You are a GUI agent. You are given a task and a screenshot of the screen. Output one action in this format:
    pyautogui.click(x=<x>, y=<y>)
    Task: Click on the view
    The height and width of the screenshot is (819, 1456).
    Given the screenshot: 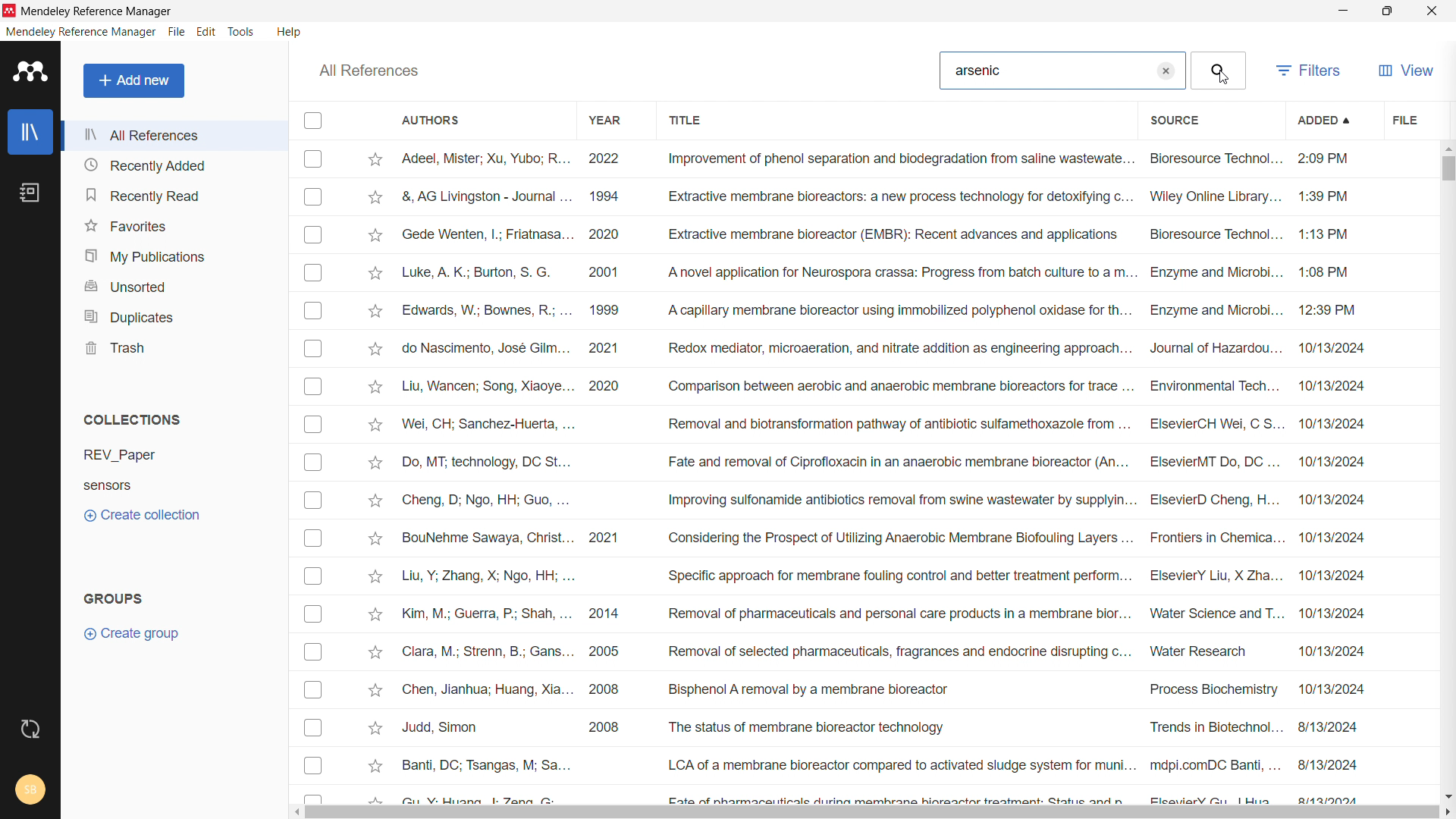 What is the action you would take?
    pyautogui.click(x=1407, y=68)
    